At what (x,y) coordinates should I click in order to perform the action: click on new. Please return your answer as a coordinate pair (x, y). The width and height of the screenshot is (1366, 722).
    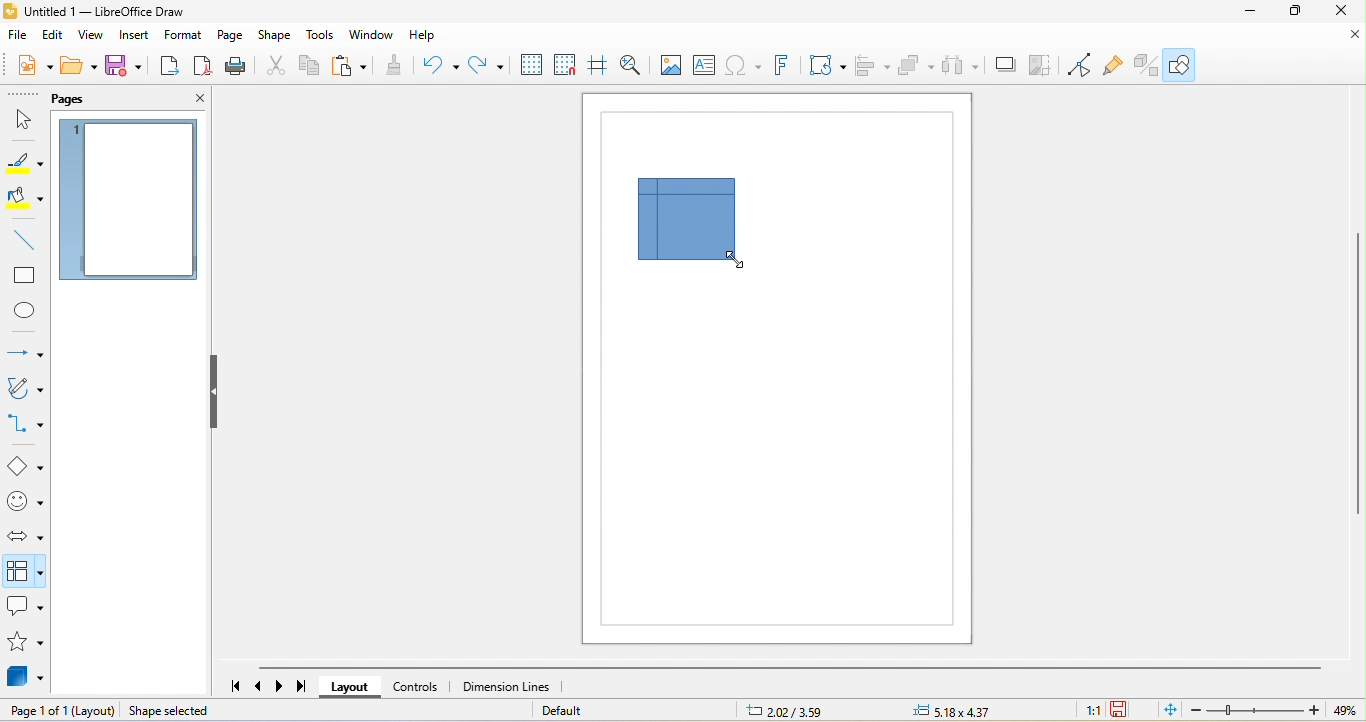
    Looking at the image, I should click on (35, 64).